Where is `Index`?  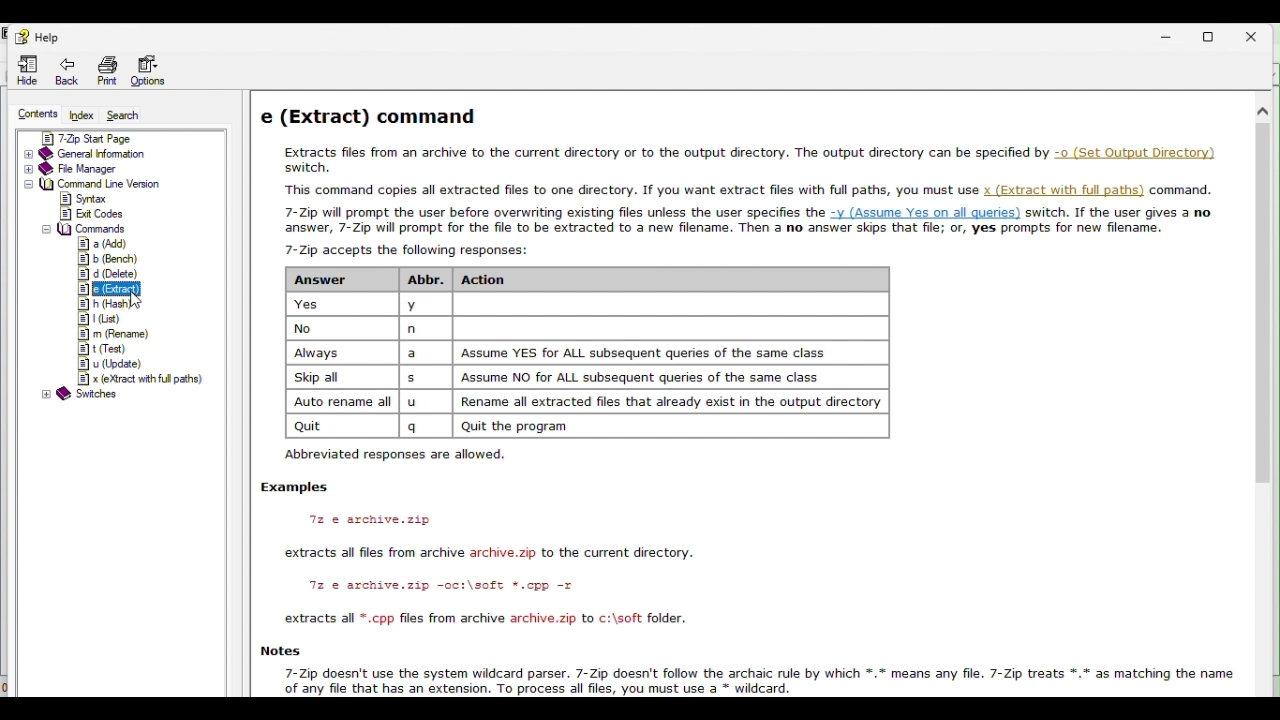 Index is located at coordinates (79, 113).